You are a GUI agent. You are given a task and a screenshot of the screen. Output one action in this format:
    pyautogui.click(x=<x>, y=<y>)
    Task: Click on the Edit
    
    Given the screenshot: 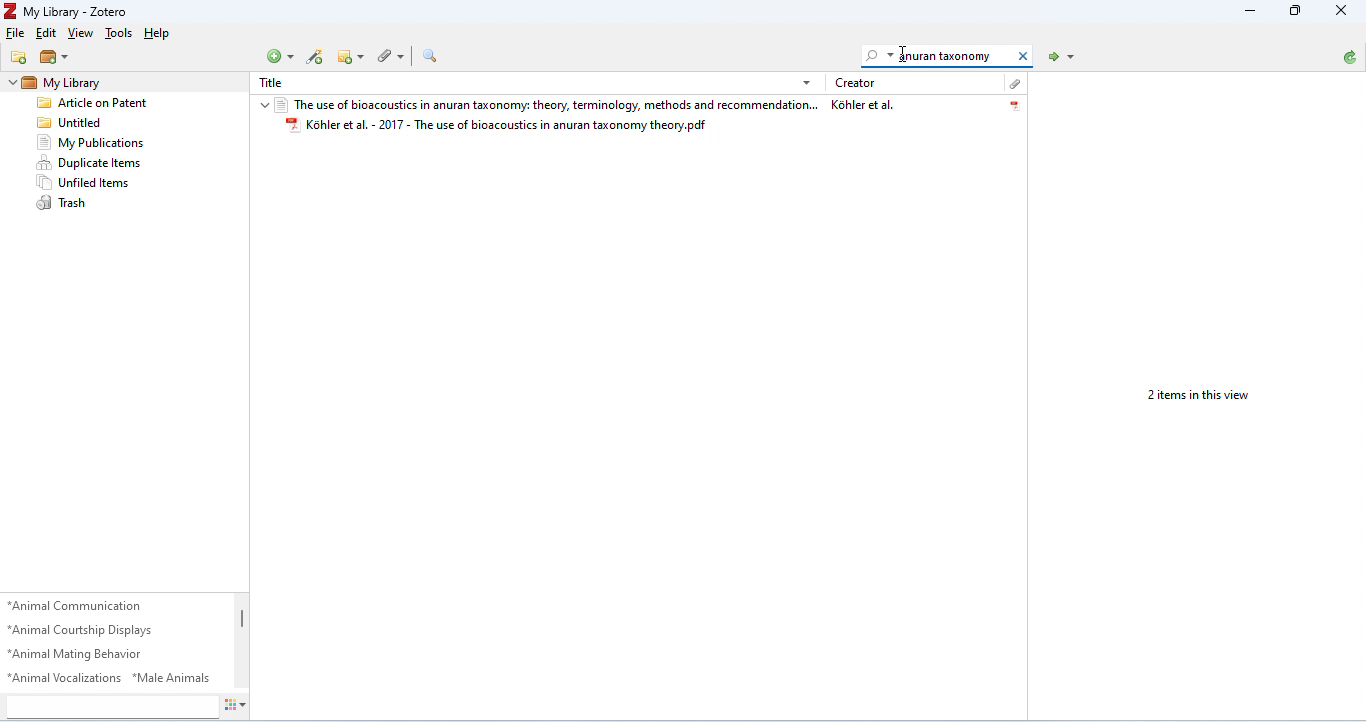 What is the action you would take?
    pyautogui.click(x=46, y=34)
    